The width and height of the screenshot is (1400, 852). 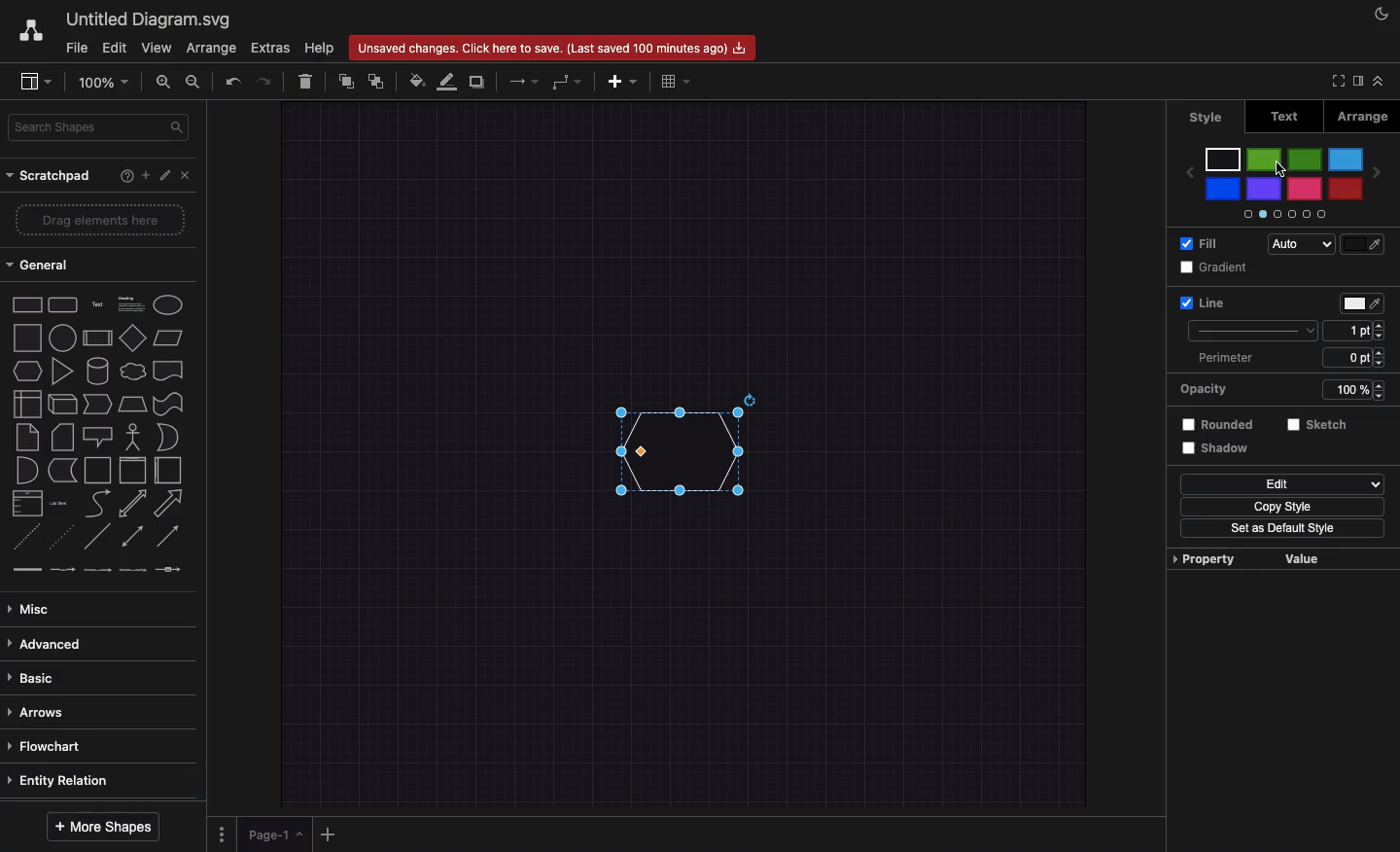 What do you see at coordinates (34, 83) in the screenshot?
I see `Sidebar` at bounding box center [34, 83].